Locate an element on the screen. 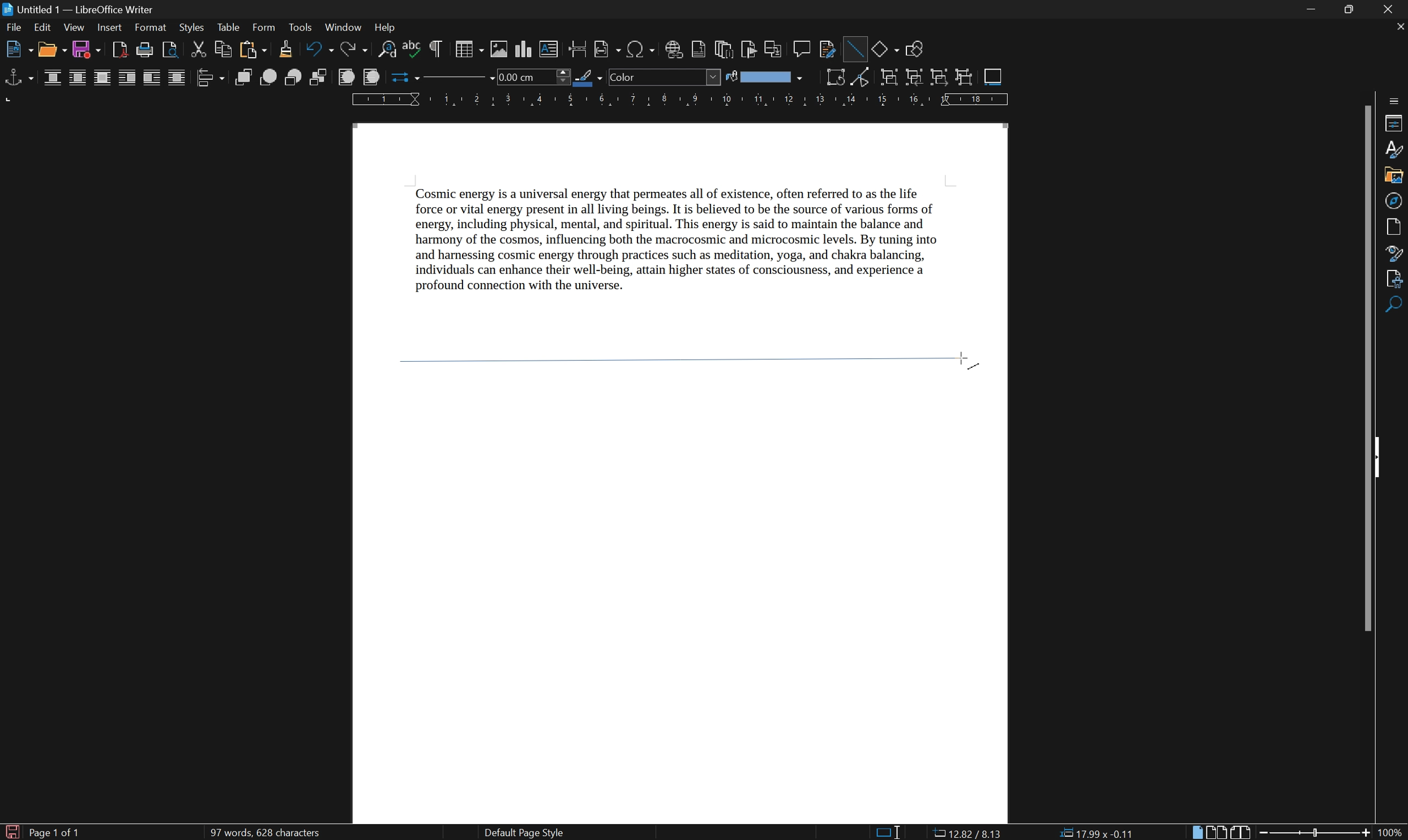  find is located at coordinates (1396, 331).